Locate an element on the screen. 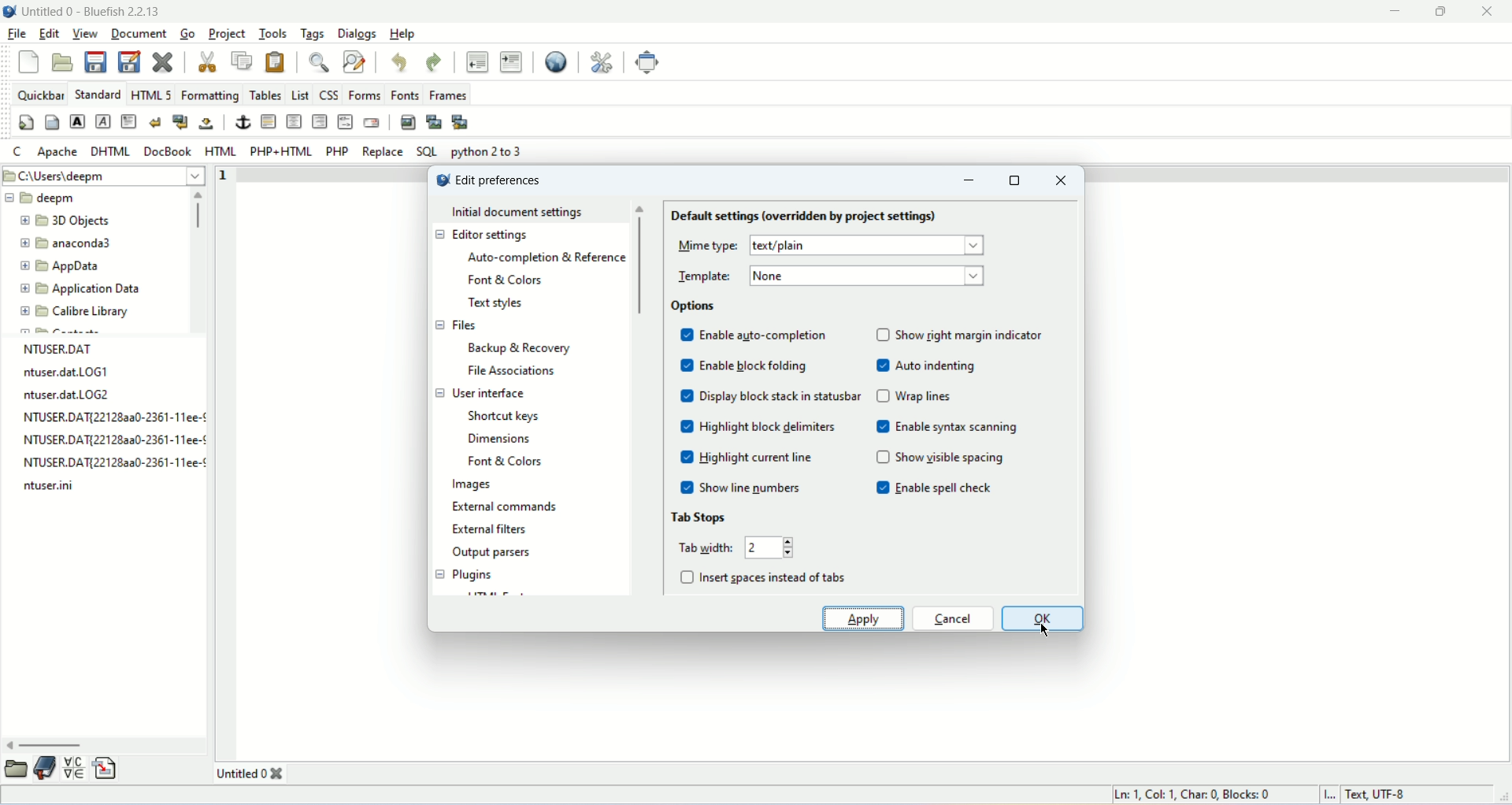  browse file is located at coordinates (15, 770).